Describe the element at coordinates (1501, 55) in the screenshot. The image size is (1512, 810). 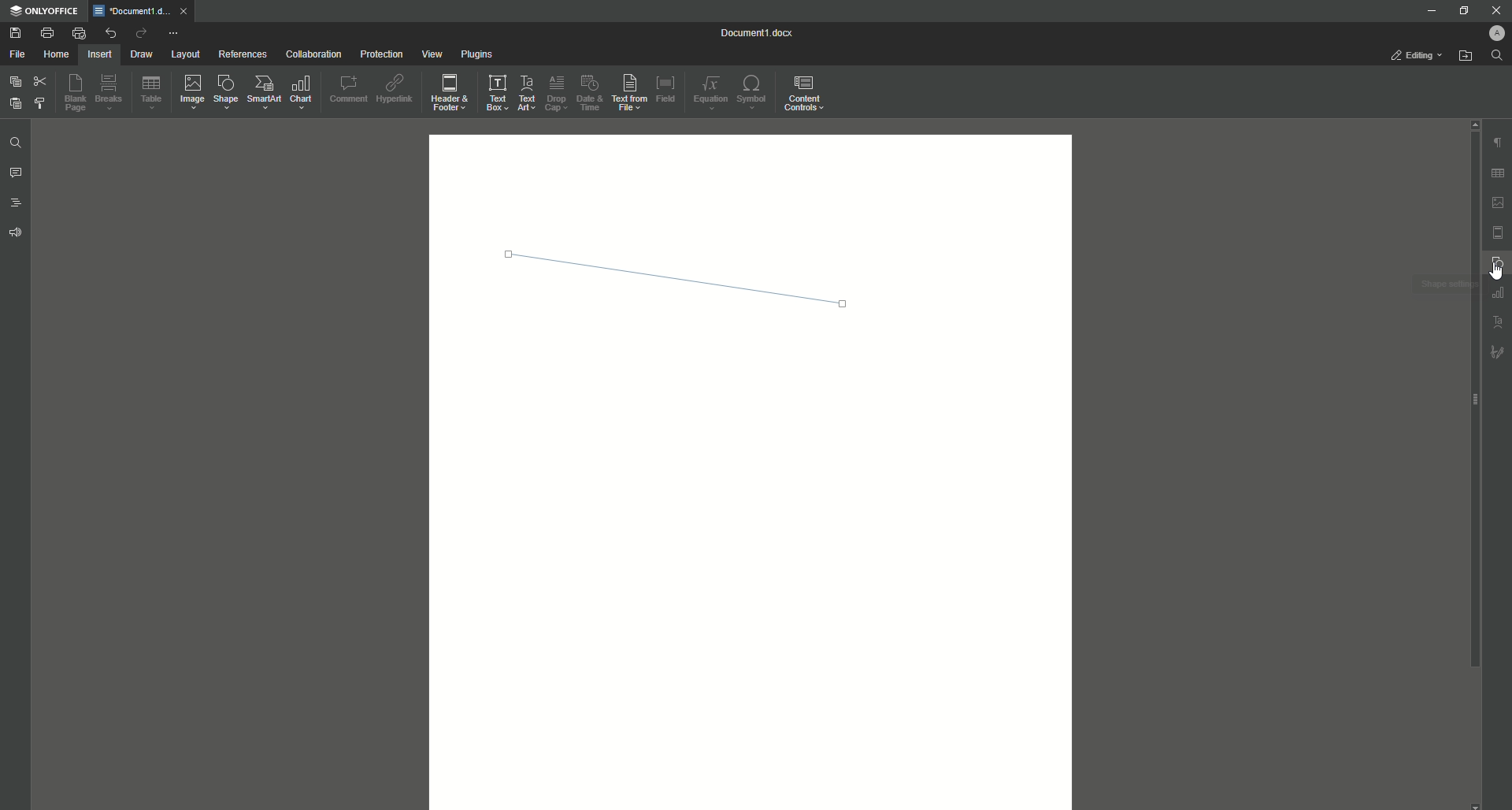
I see `Find` at that location.